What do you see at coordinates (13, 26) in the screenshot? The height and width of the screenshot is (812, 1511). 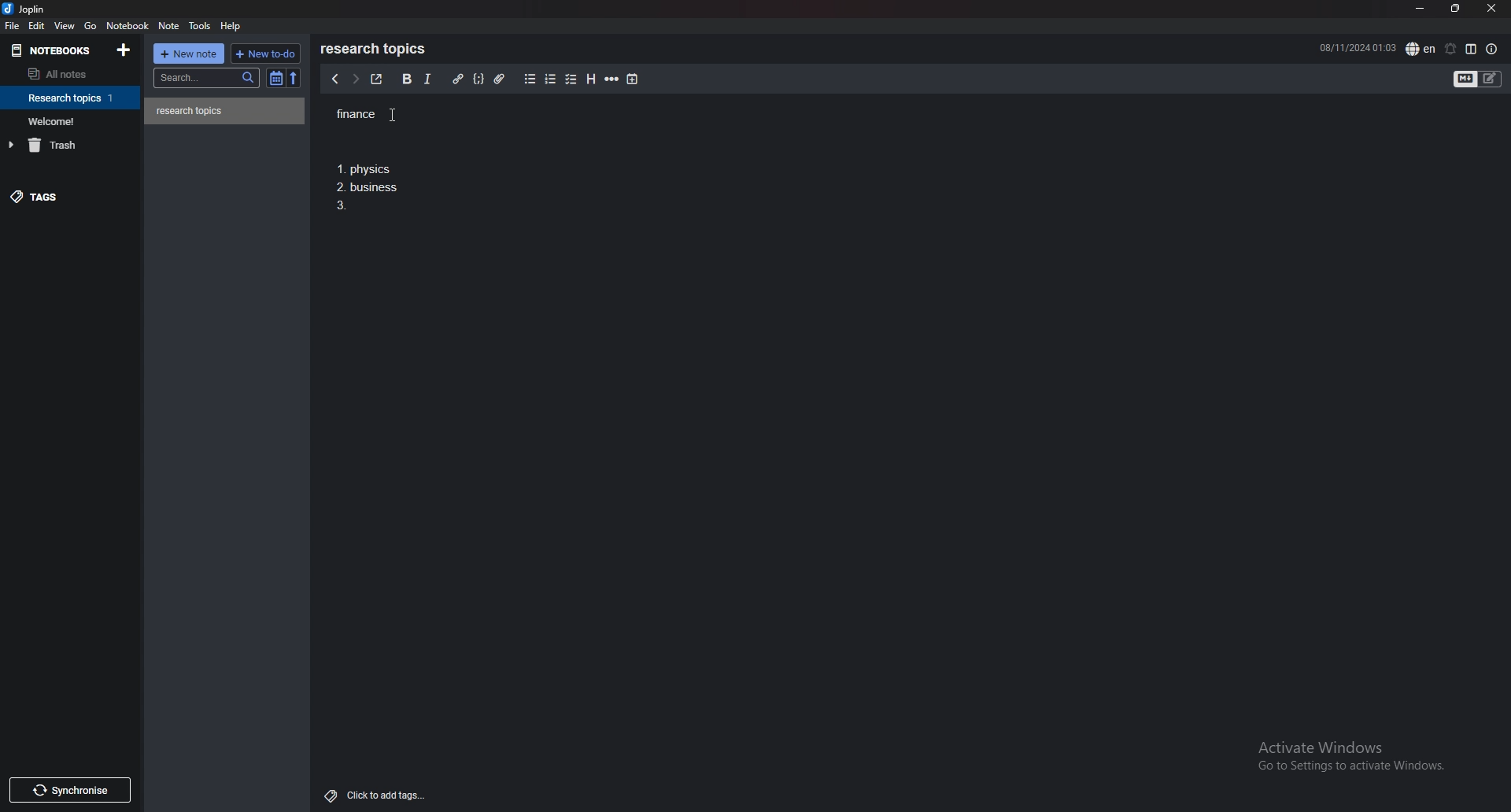 I see `file` at bounding box center [13, 26].